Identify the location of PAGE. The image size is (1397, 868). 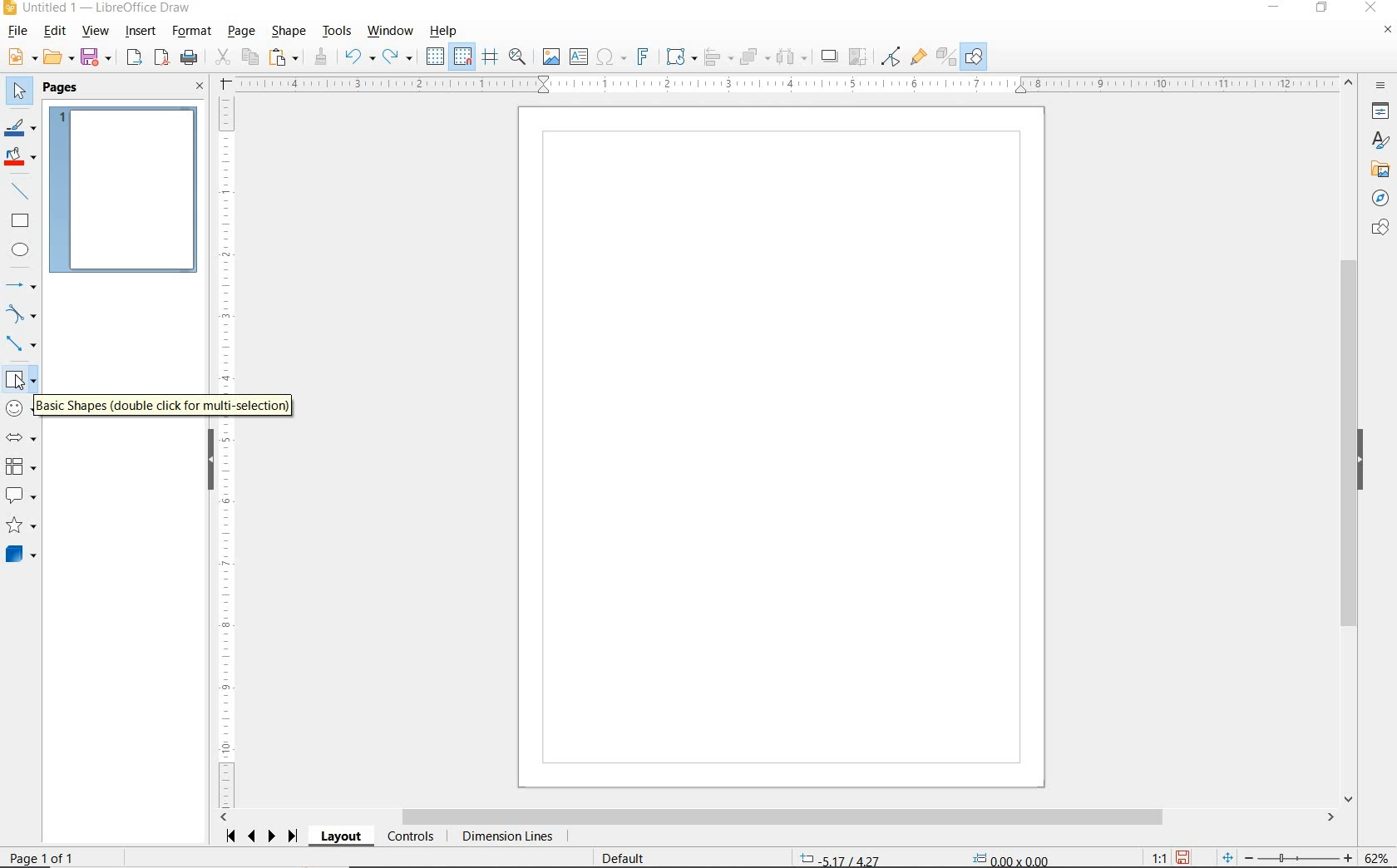
(243, 32).